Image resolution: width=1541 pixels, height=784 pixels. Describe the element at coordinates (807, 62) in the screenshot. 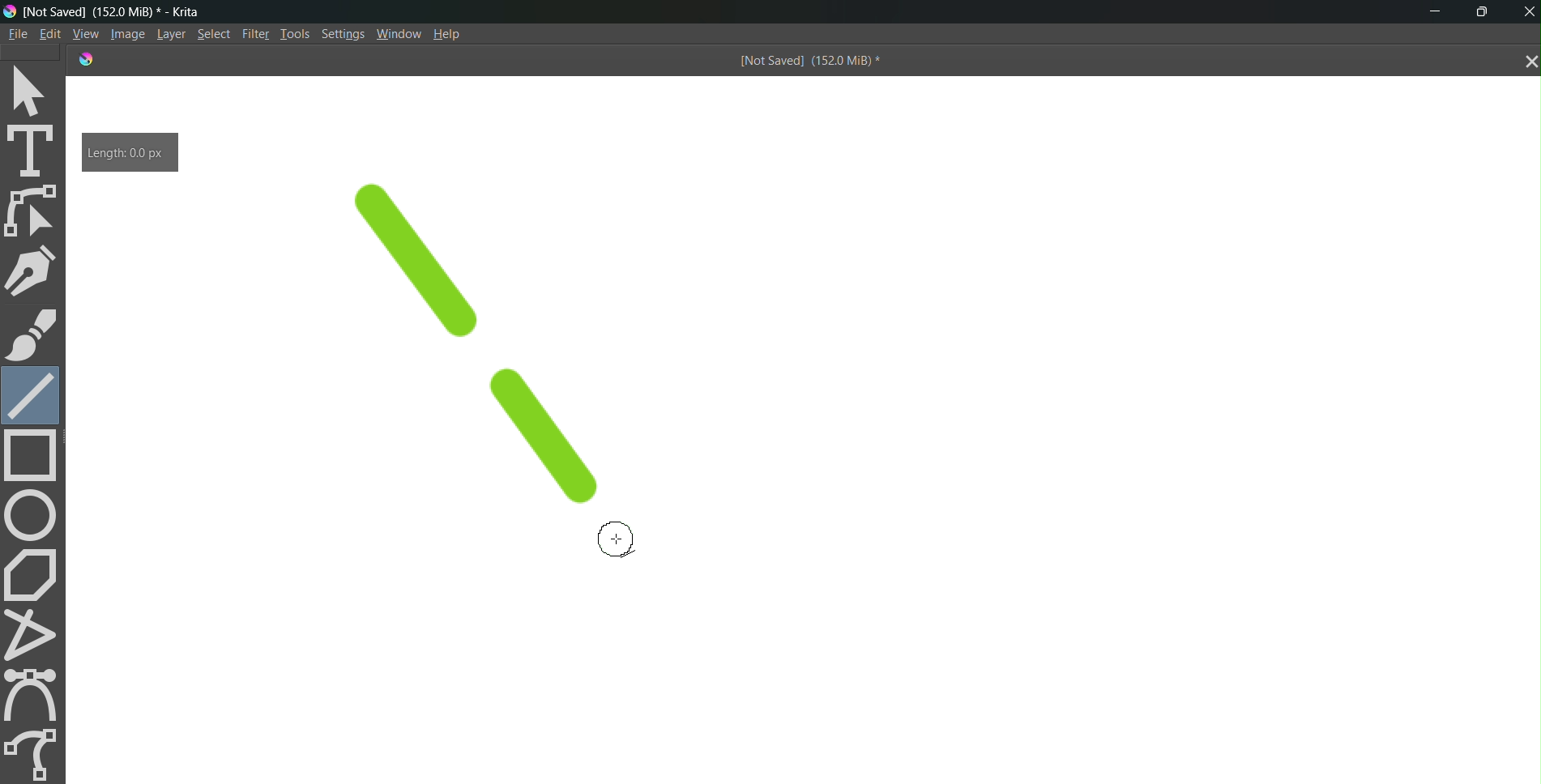

I see `[Not Saved] (151.9 MiB) *` at that location.